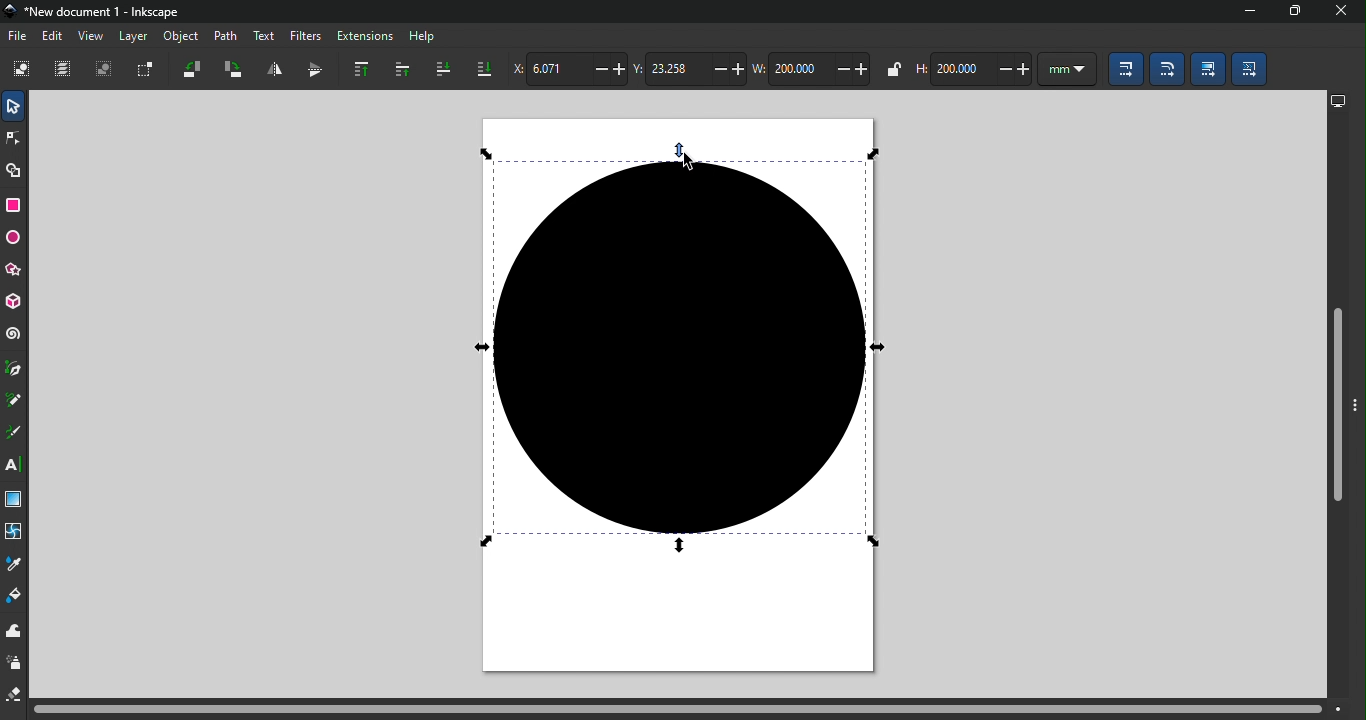  What do you see at coordinates (444, 70) in the screenshot?
I see `lower selection one step` at bounding box center [444, 70].